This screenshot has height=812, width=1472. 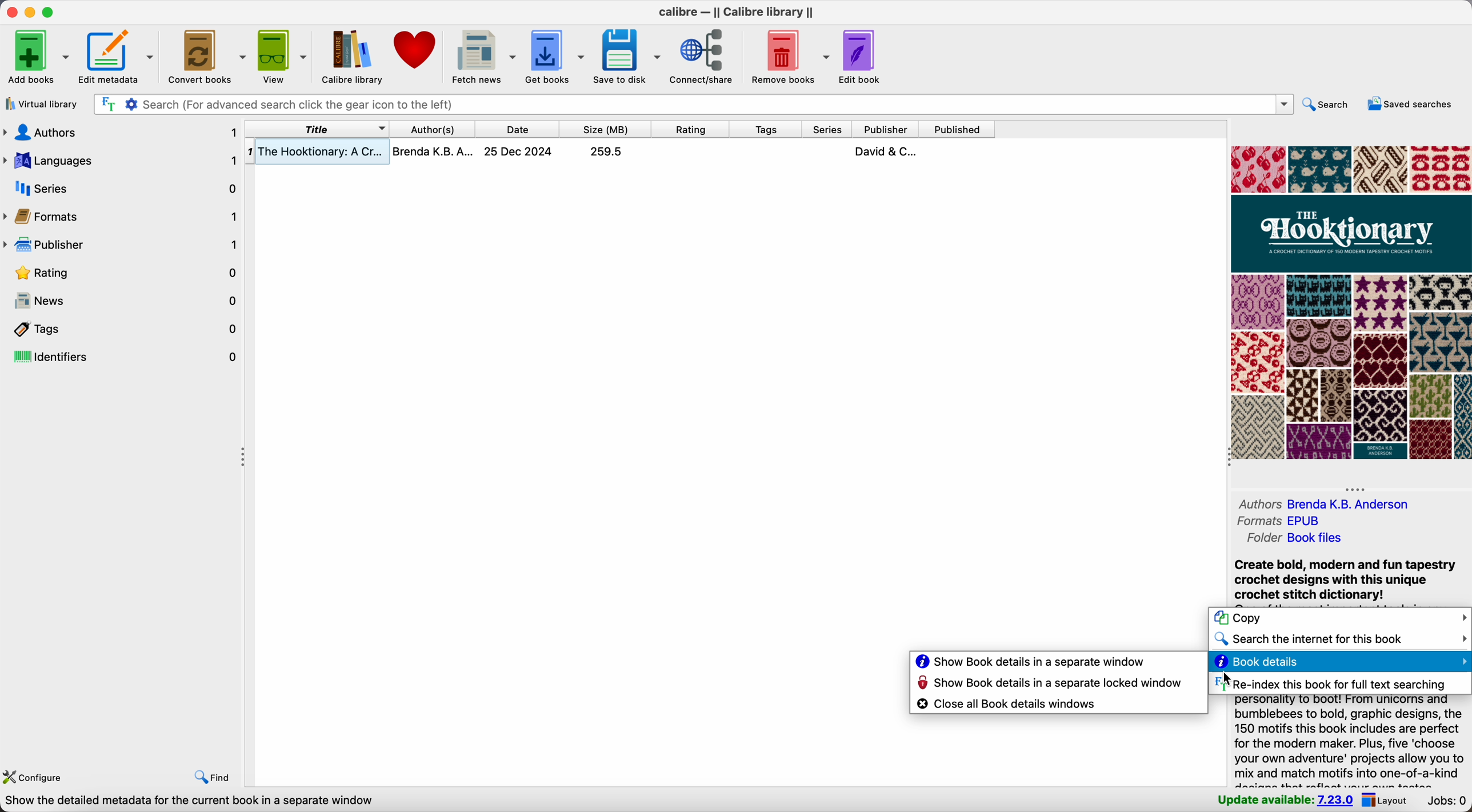 I want to click on title, so click(x=318, y=129).